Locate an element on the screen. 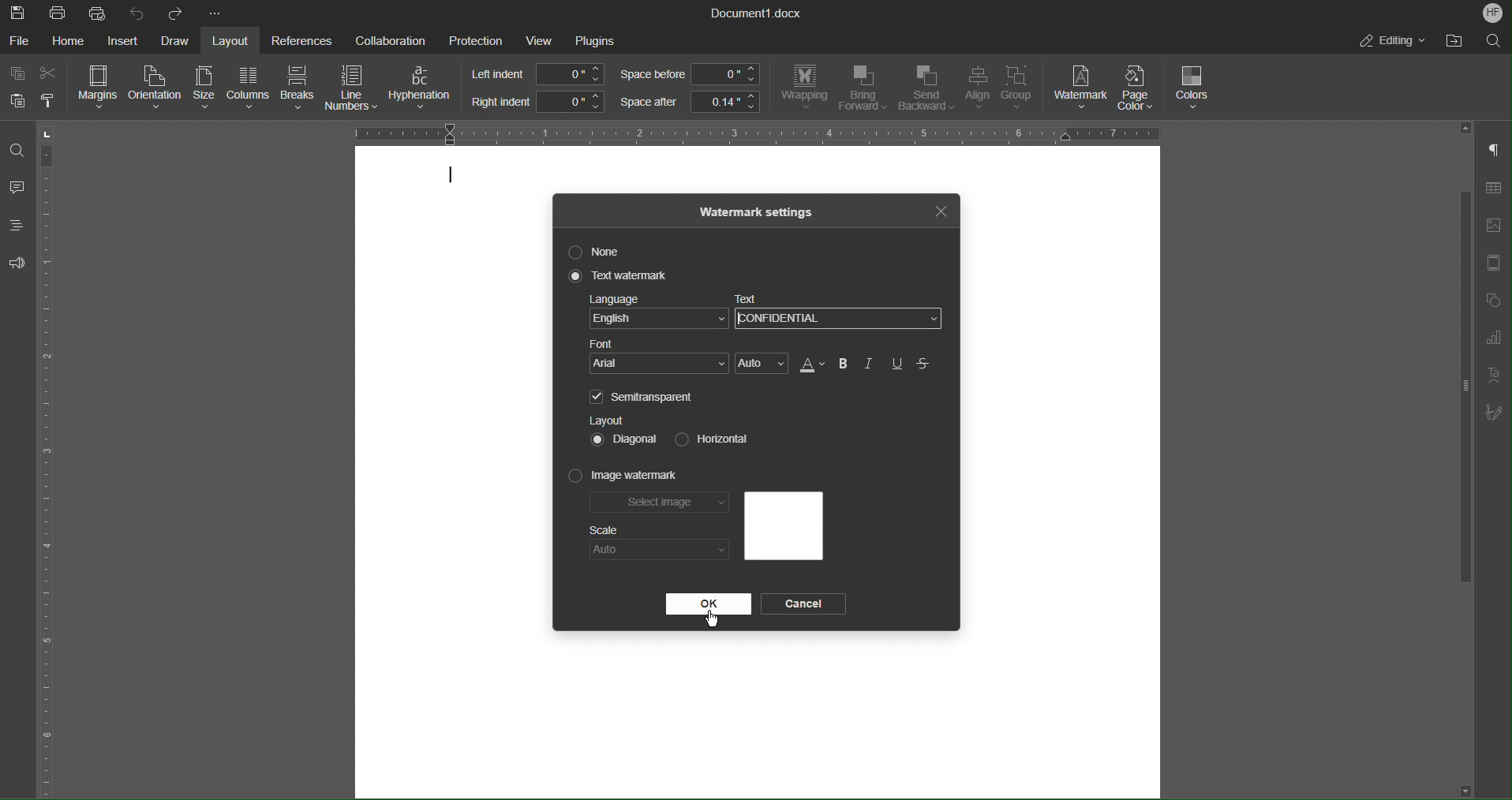 The width and height of the screenshot is (1512, 800). Space before is located at coordinates (689, 75).